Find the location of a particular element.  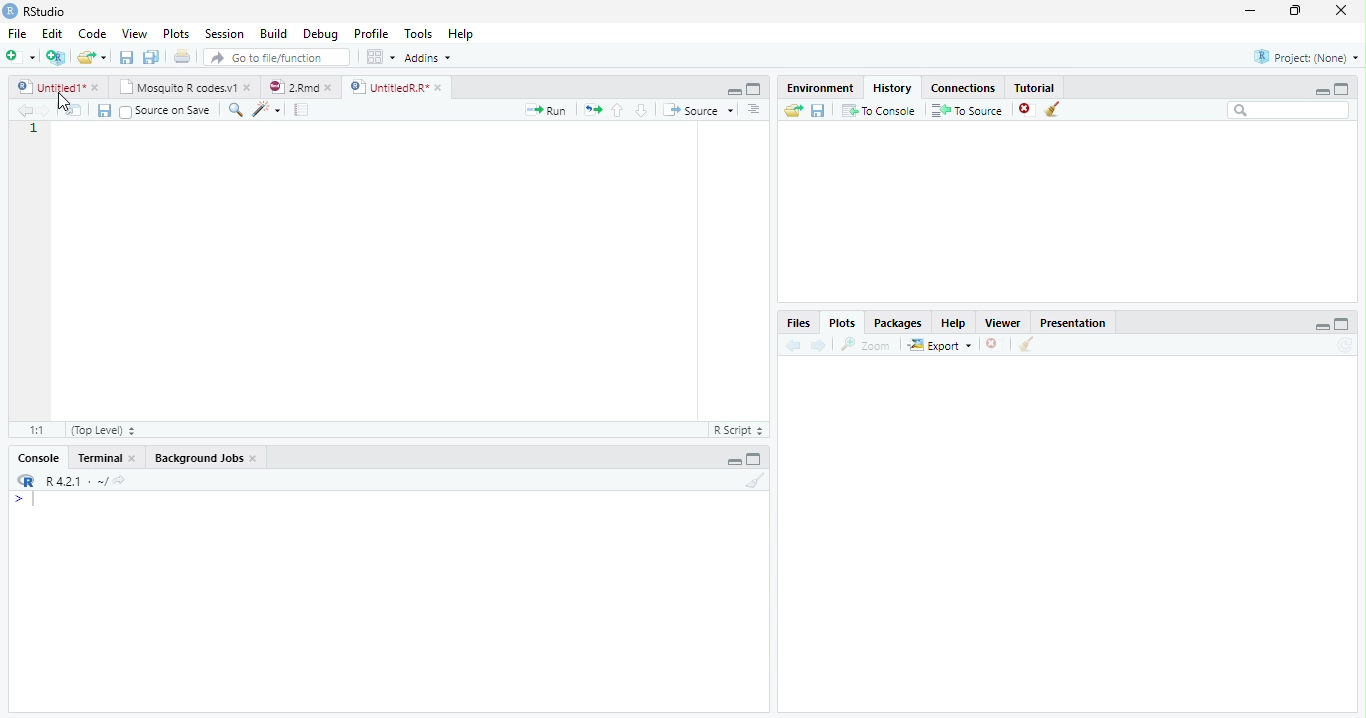

Code is located at coordinates (92, 33).